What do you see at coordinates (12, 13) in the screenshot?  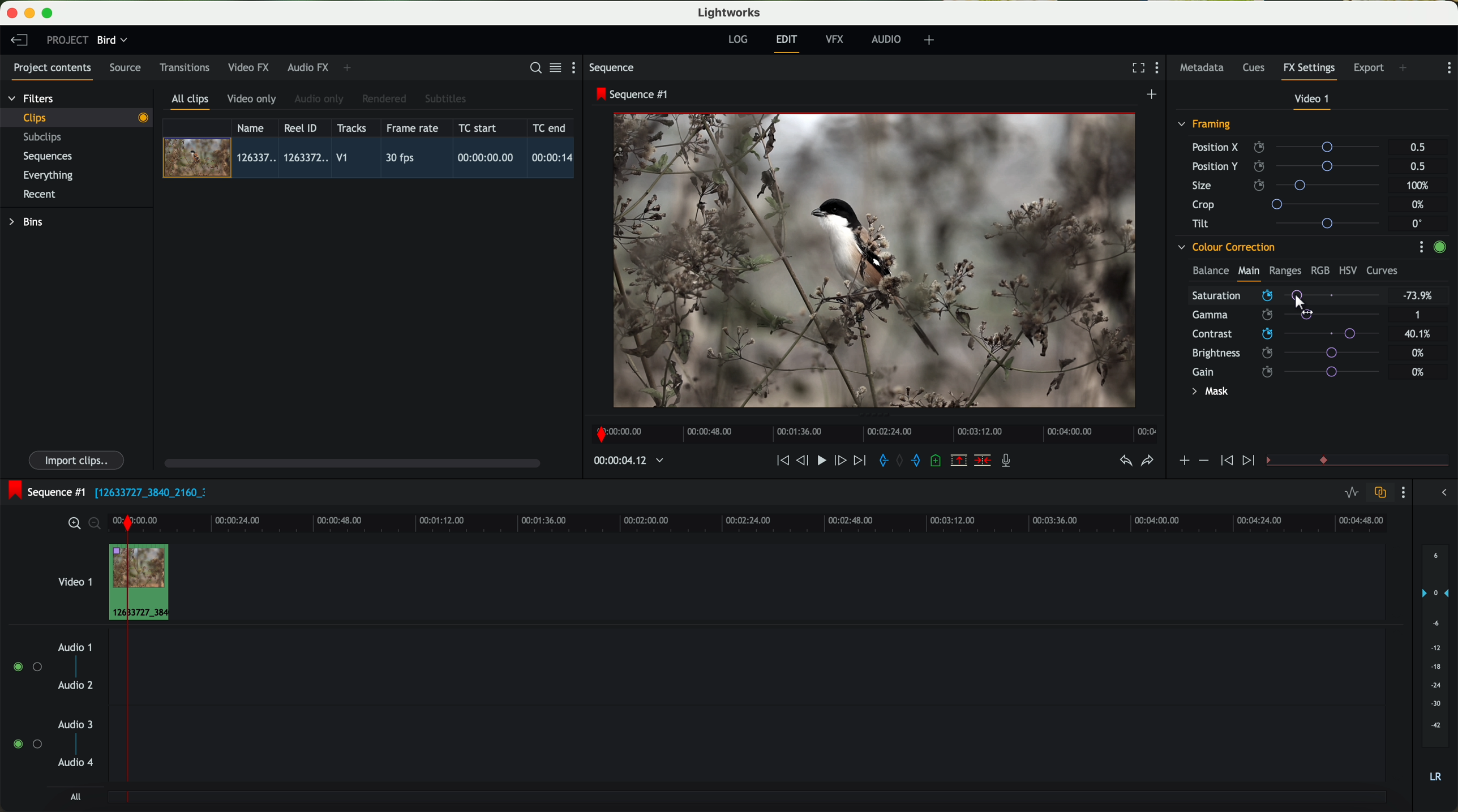 I see `close program` at bounding box center [12, 13].